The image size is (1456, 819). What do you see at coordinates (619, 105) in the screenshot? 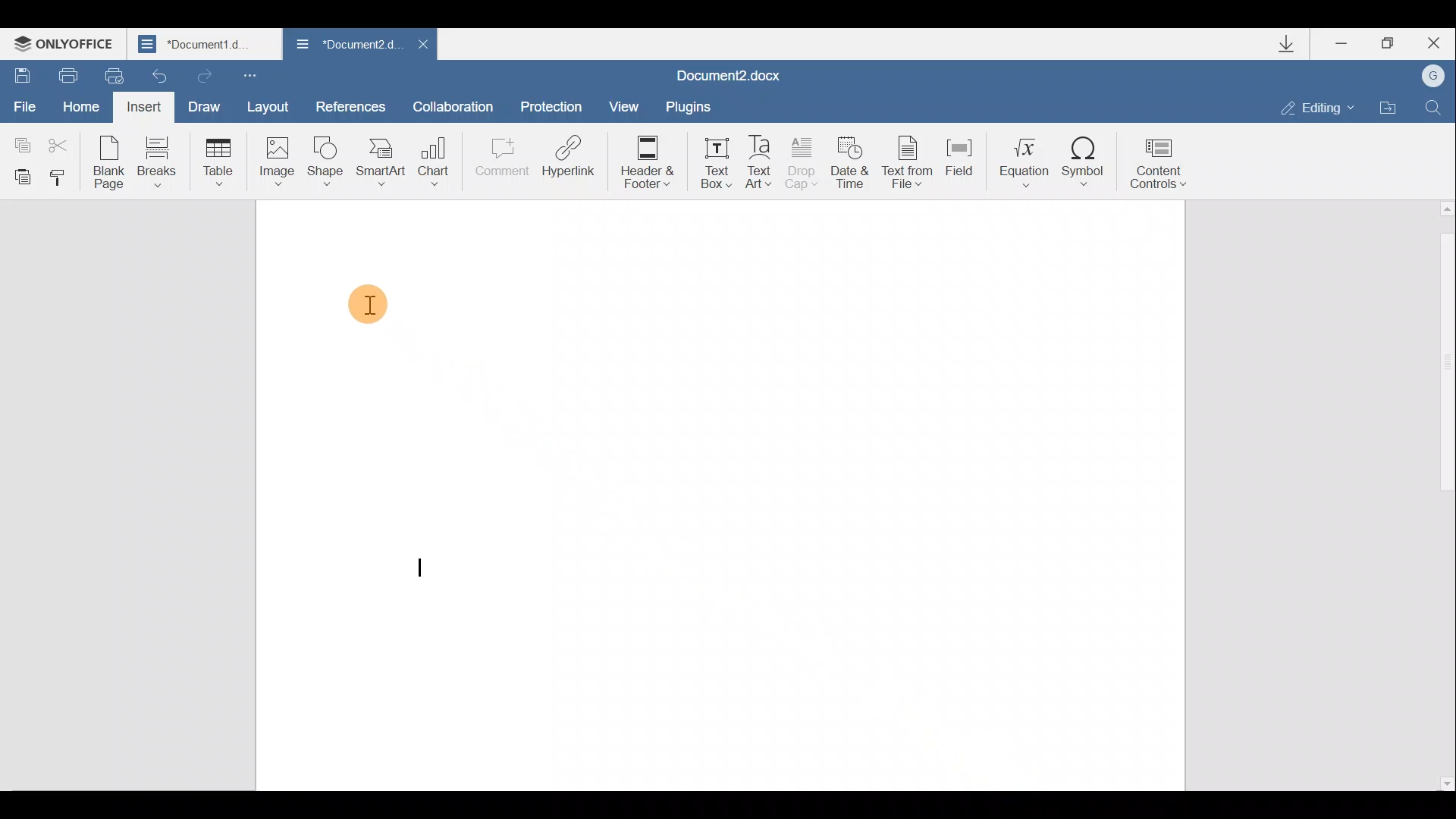
I see `View` at bounding box center [619, 105].